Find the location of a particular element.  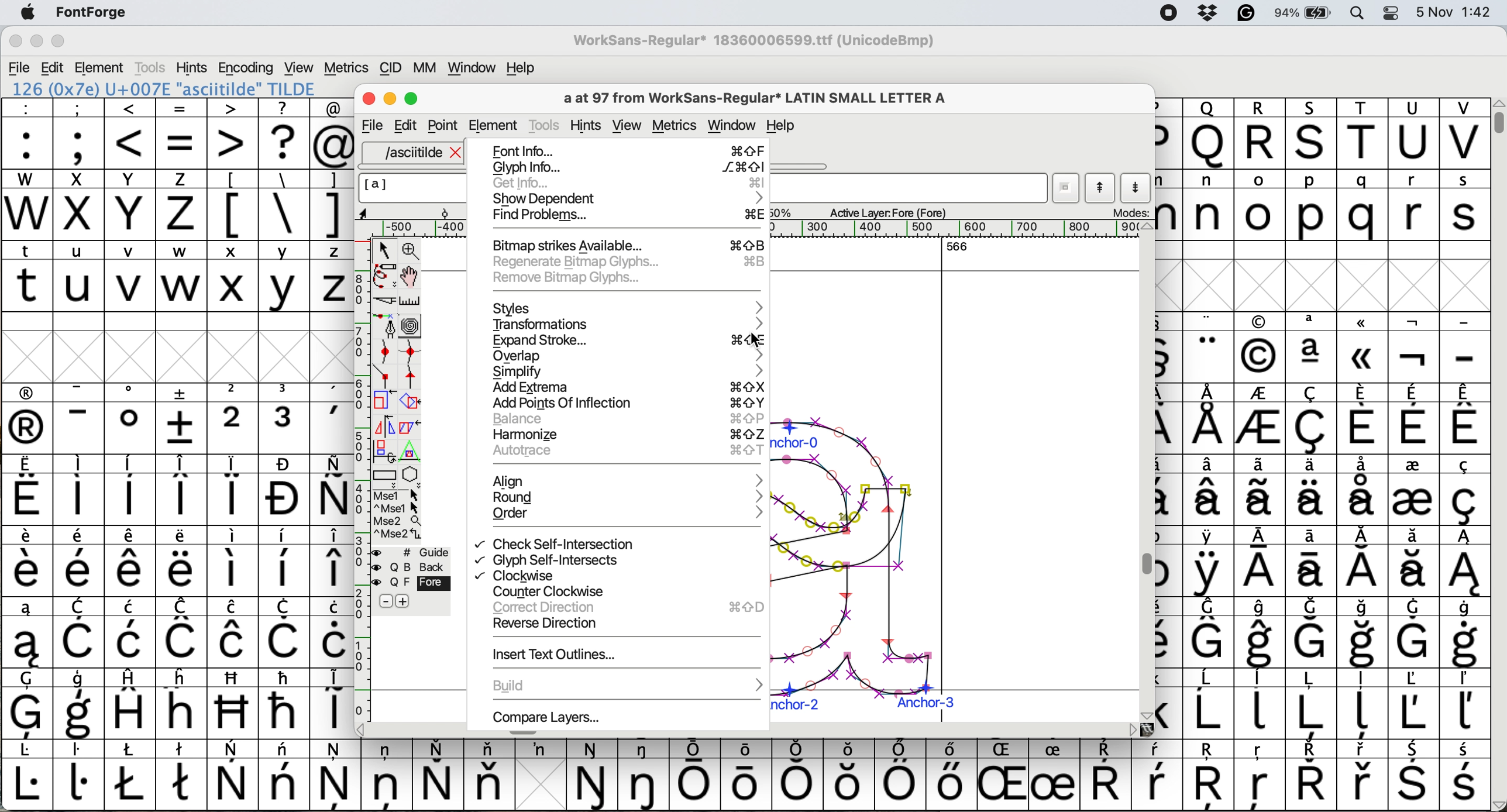

 is located at coordinates (1261, 776).